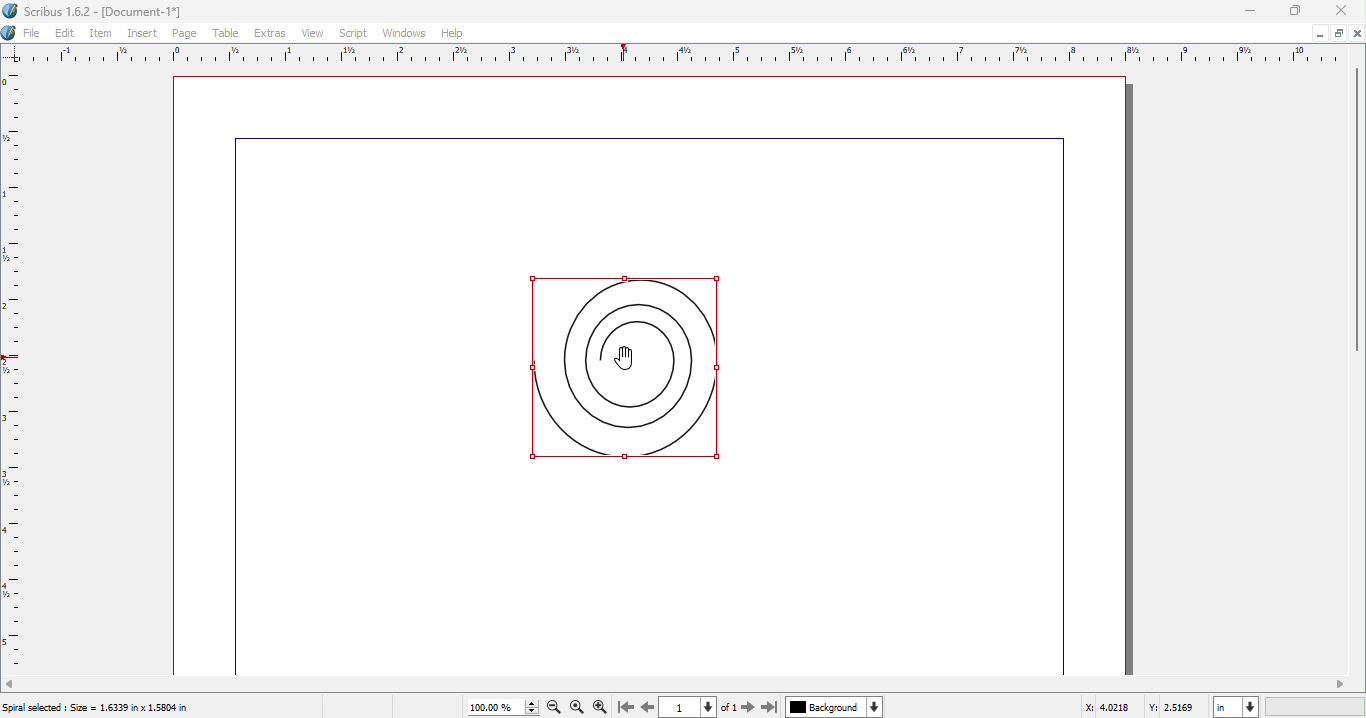 The width and height of the screenshot is (1366, 718). I want to click on Go to the next page, so click(748, 707).